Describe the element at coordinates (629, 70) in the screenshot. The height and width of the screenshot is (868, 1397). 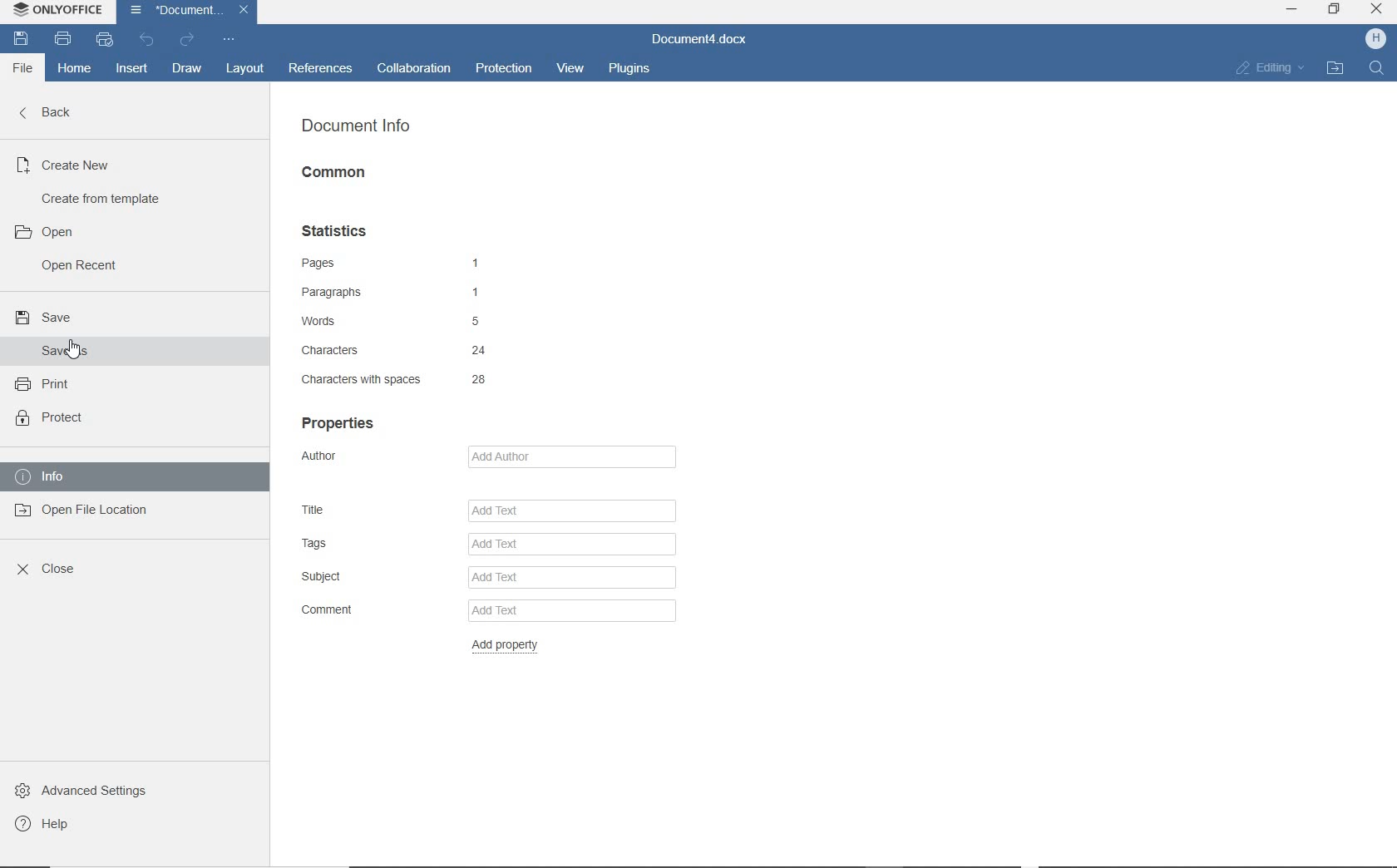
I see `plugins` at that location.